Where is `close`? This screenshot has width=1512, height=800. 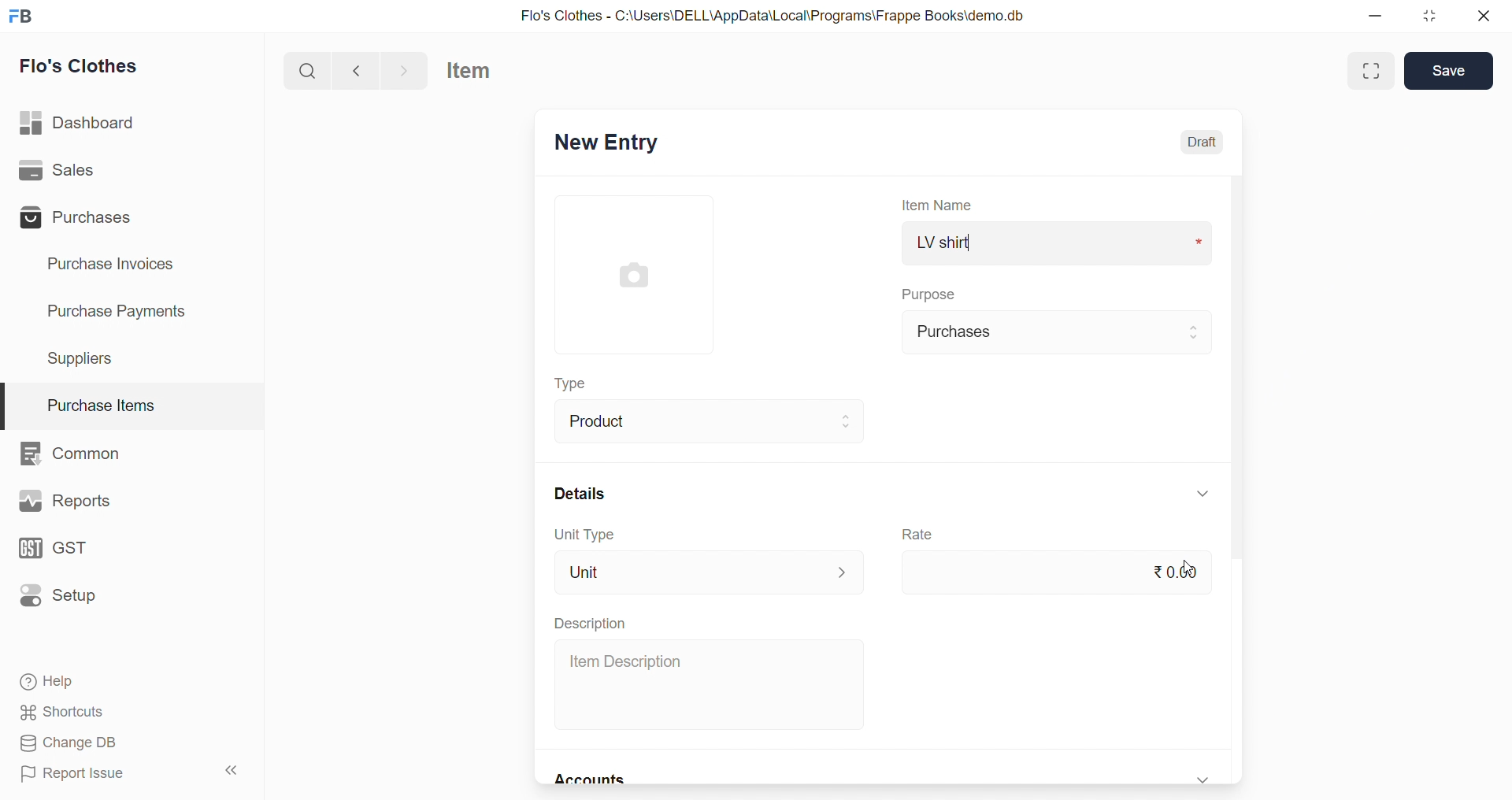 close is located at coordinates (1478, 16).